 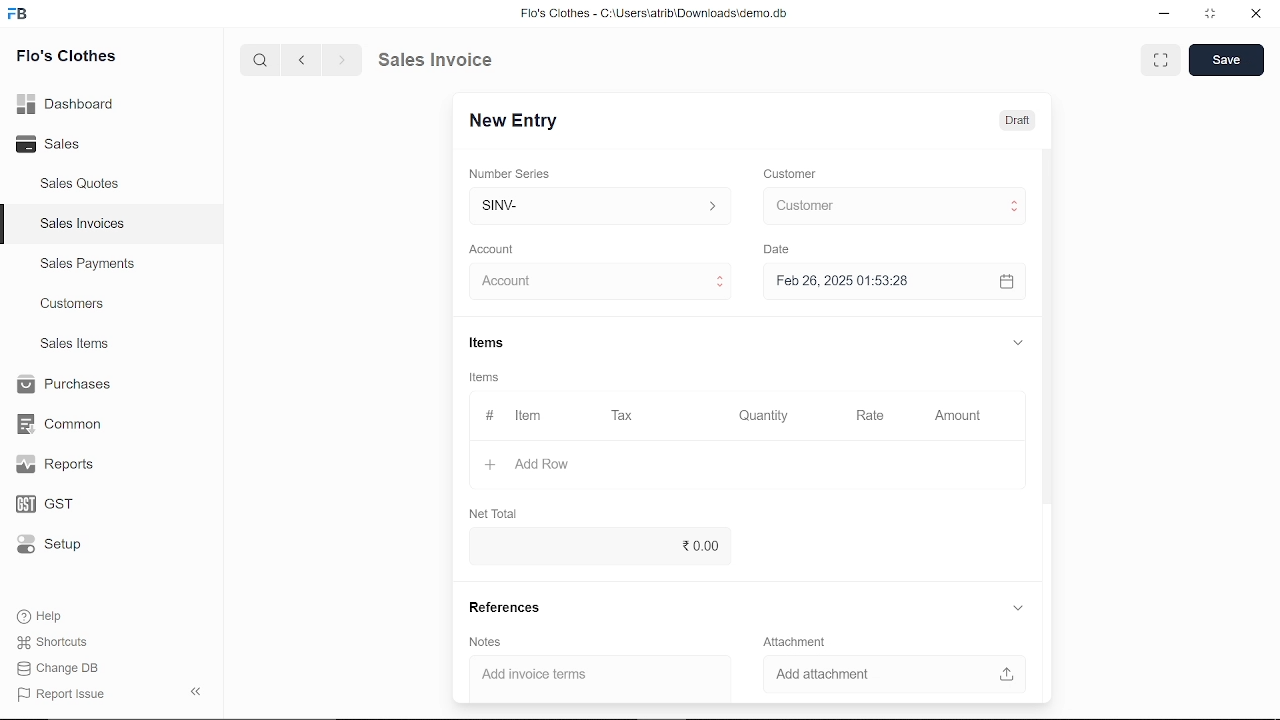 What do you see at coordinates (497, 250) in the screenshot?
I see `Account` at bounding box center [497, 250].